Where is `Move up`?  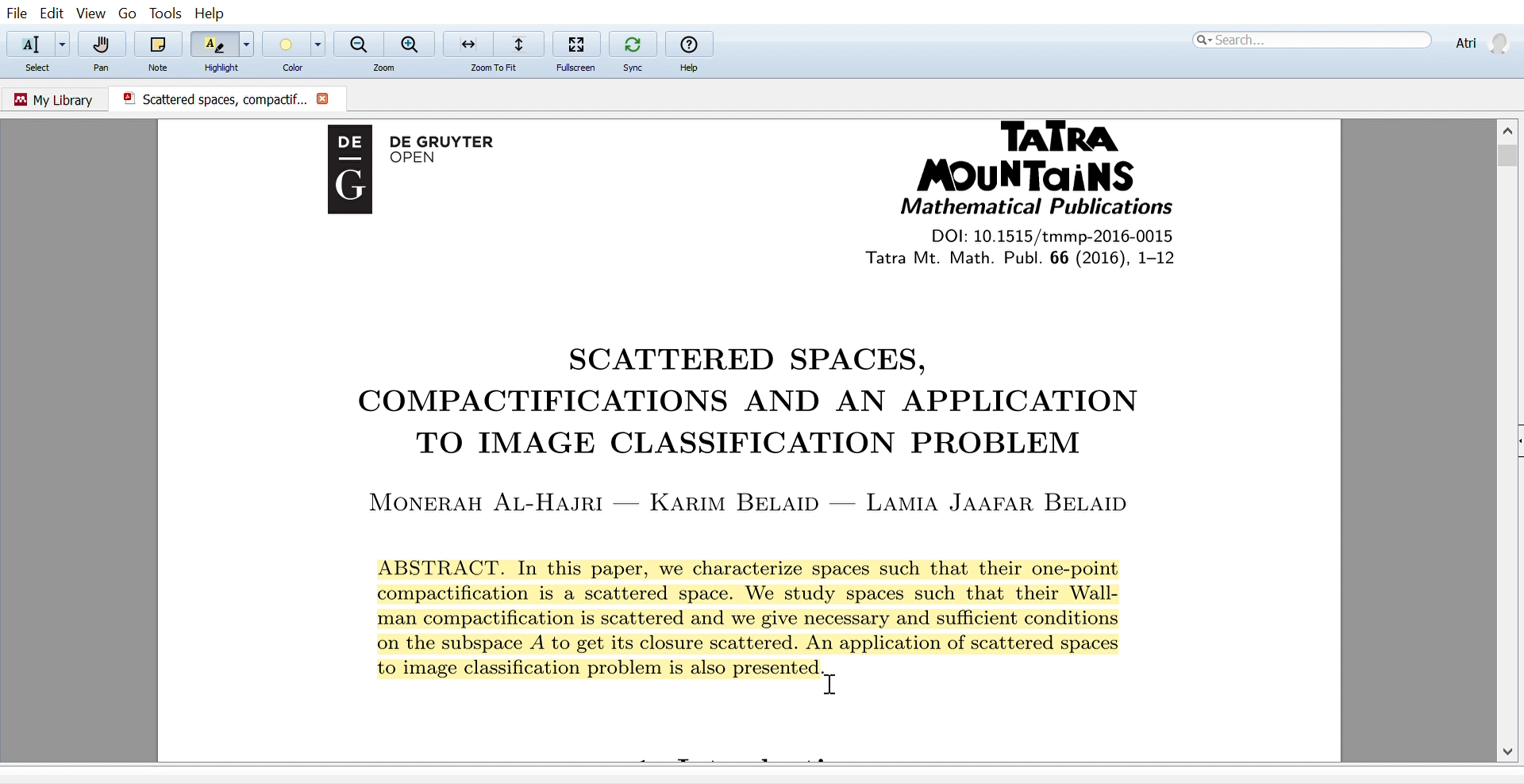
Move up is located at coordinates (1510, 128).